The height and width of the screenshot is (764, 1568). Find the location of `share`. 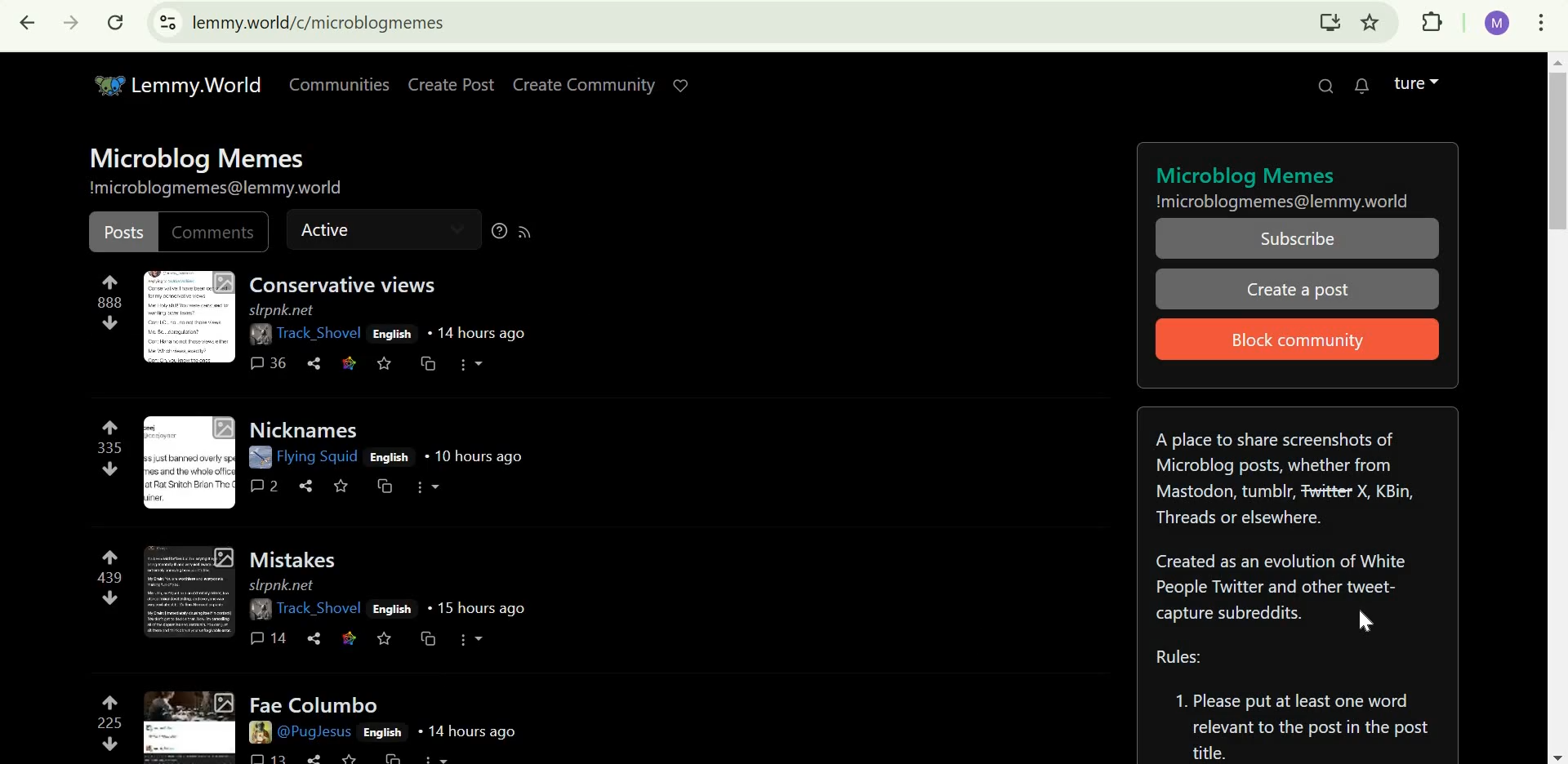

share is located at coordinates (316, 757).